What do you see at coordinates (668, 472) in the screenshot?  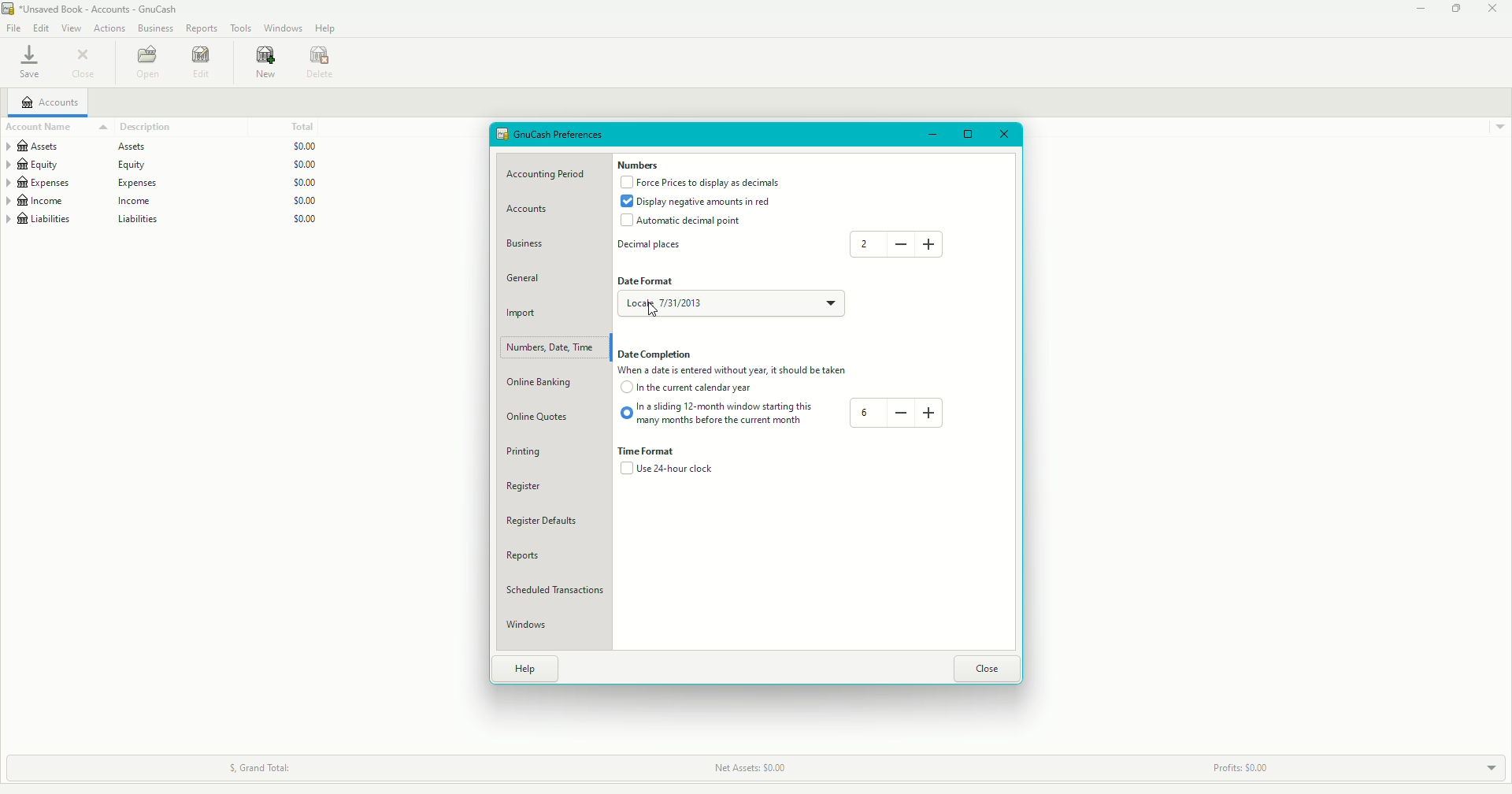 I see `24 hour clock` at bounding box center [668, 472].